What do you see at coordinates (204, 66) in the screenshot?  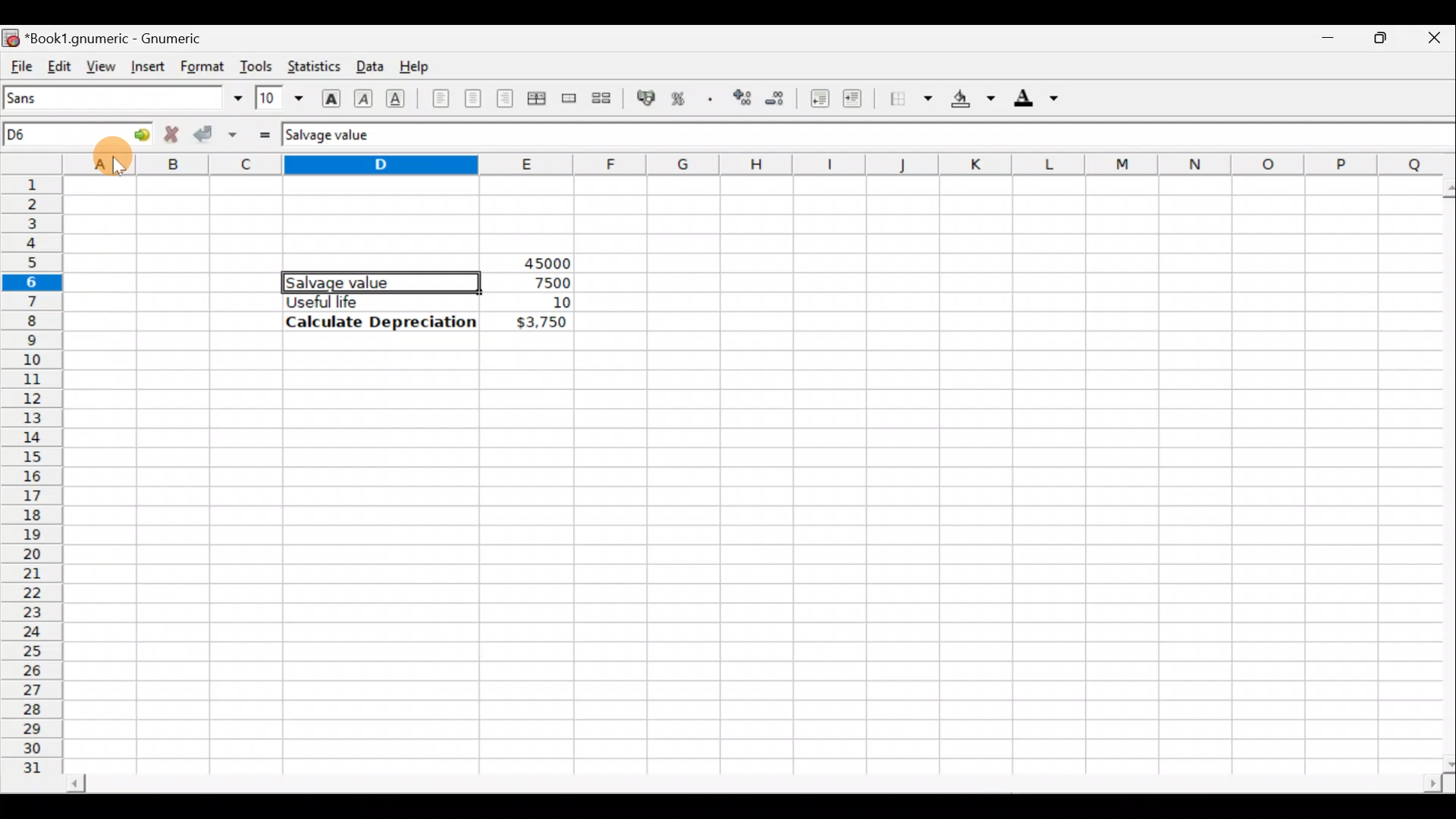 I see `Format` at bounding box center [204, 66].